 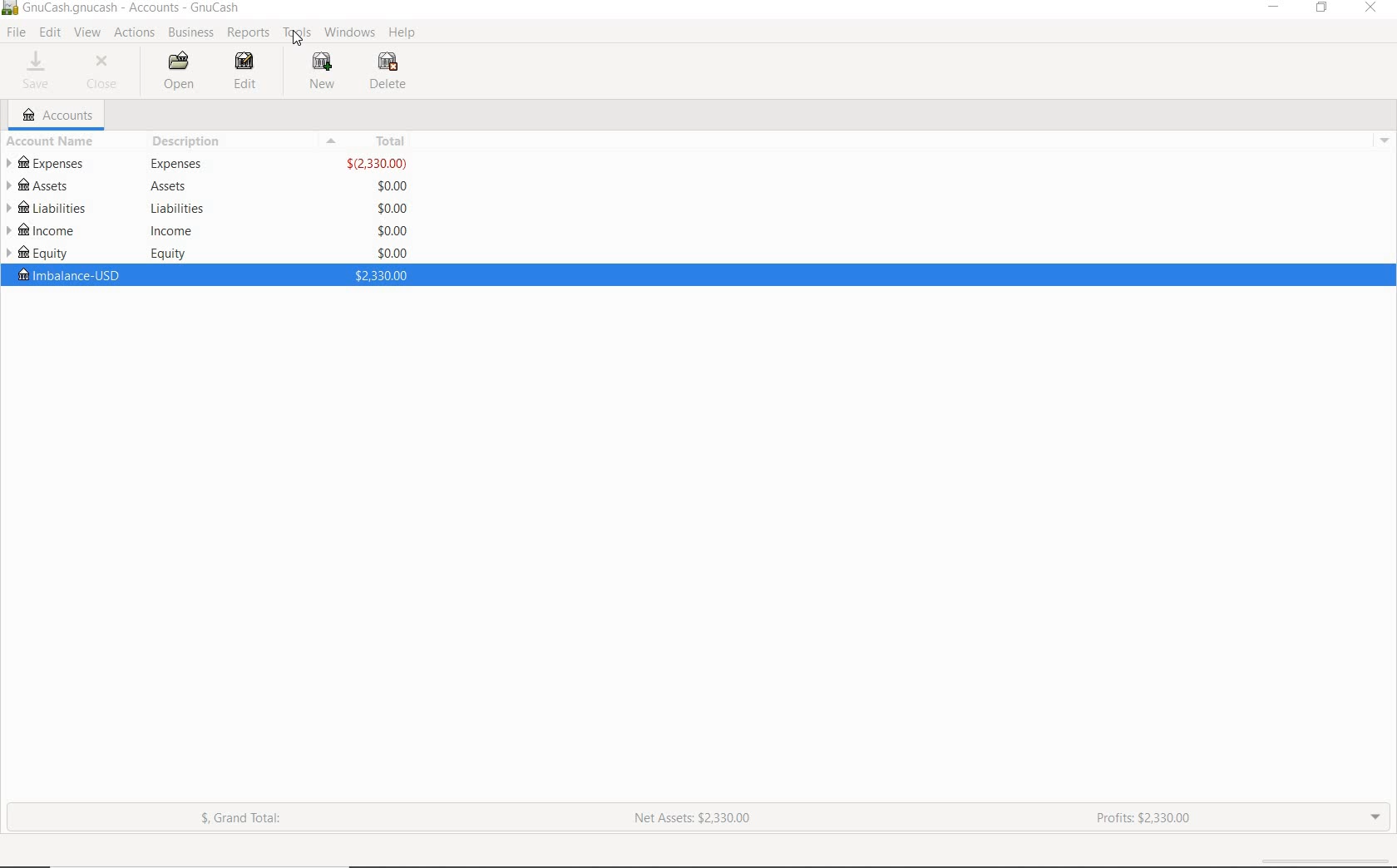 I want to click on ACCOUNT NAME, so click(x=204, y=141).